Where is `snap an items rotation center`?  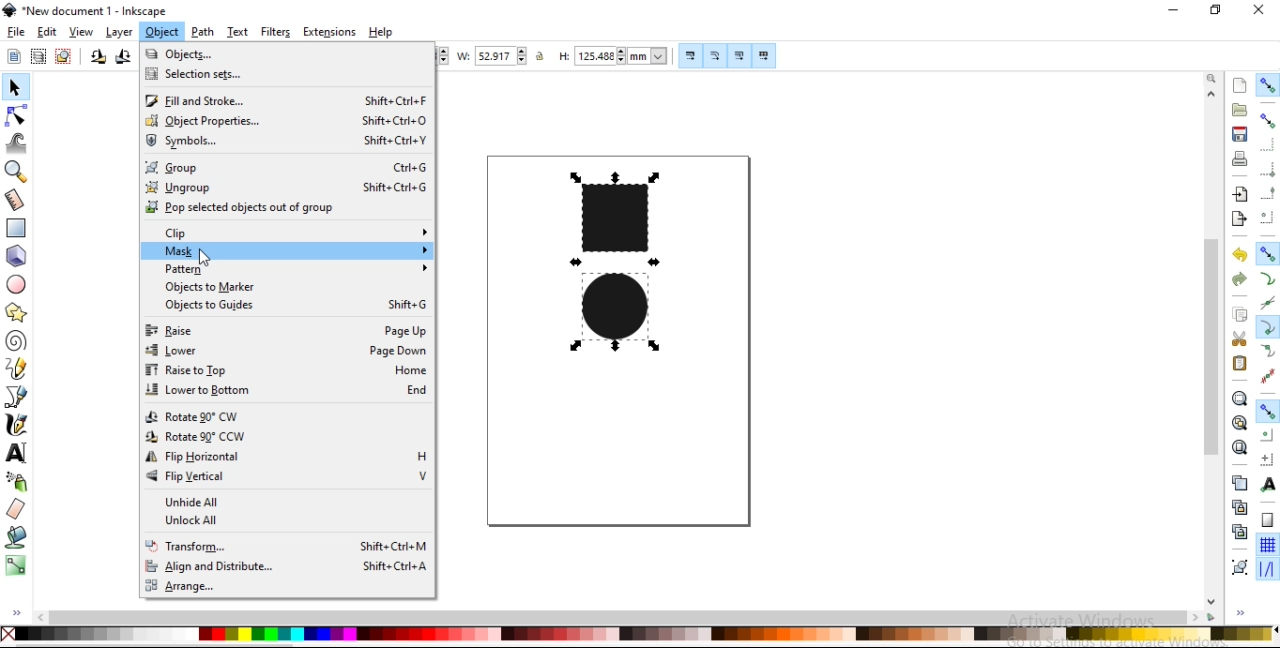
snap an items rotation center is located at coordinates (1266, 458).